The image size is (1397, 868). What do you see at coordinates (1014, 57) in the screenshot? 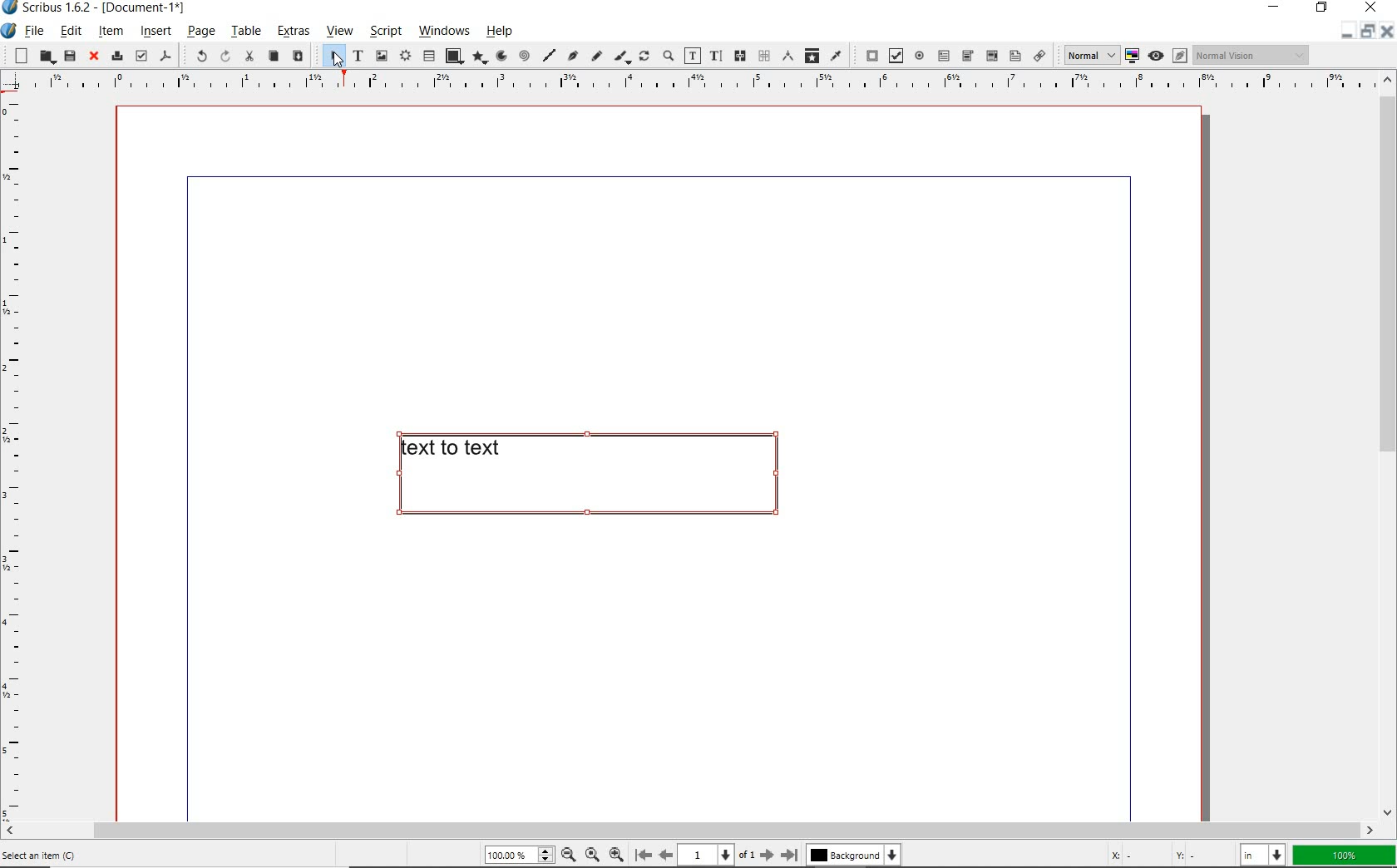
I see `Text annotation` at bounding box center [1014, 57].